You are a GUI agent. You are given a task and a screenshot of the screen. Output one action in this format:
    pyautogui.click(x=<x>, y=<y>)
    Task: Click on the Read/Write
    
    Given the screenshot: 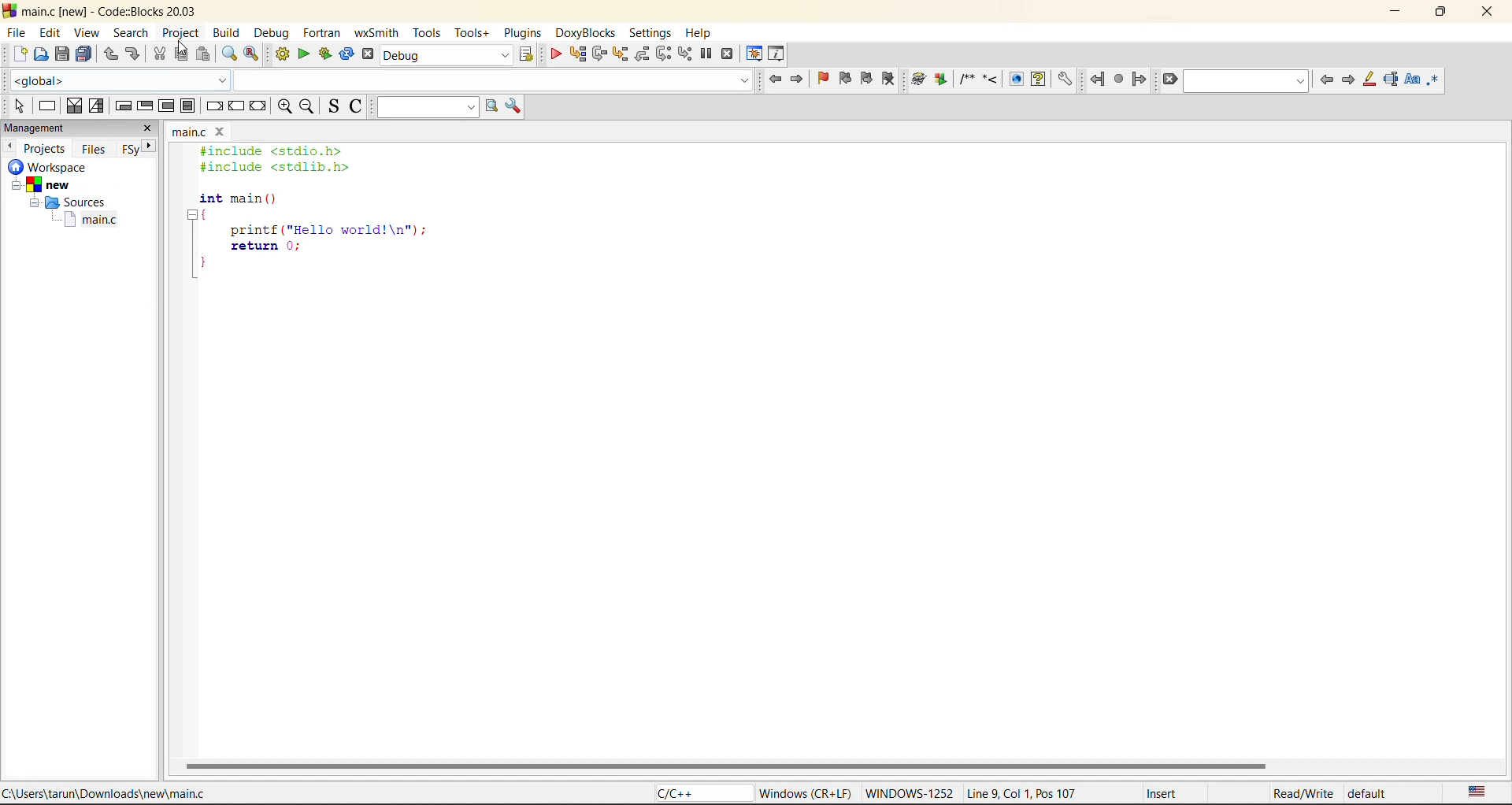 What is the action you would take?
    pyautogui.click(x=1302, y=794)
    